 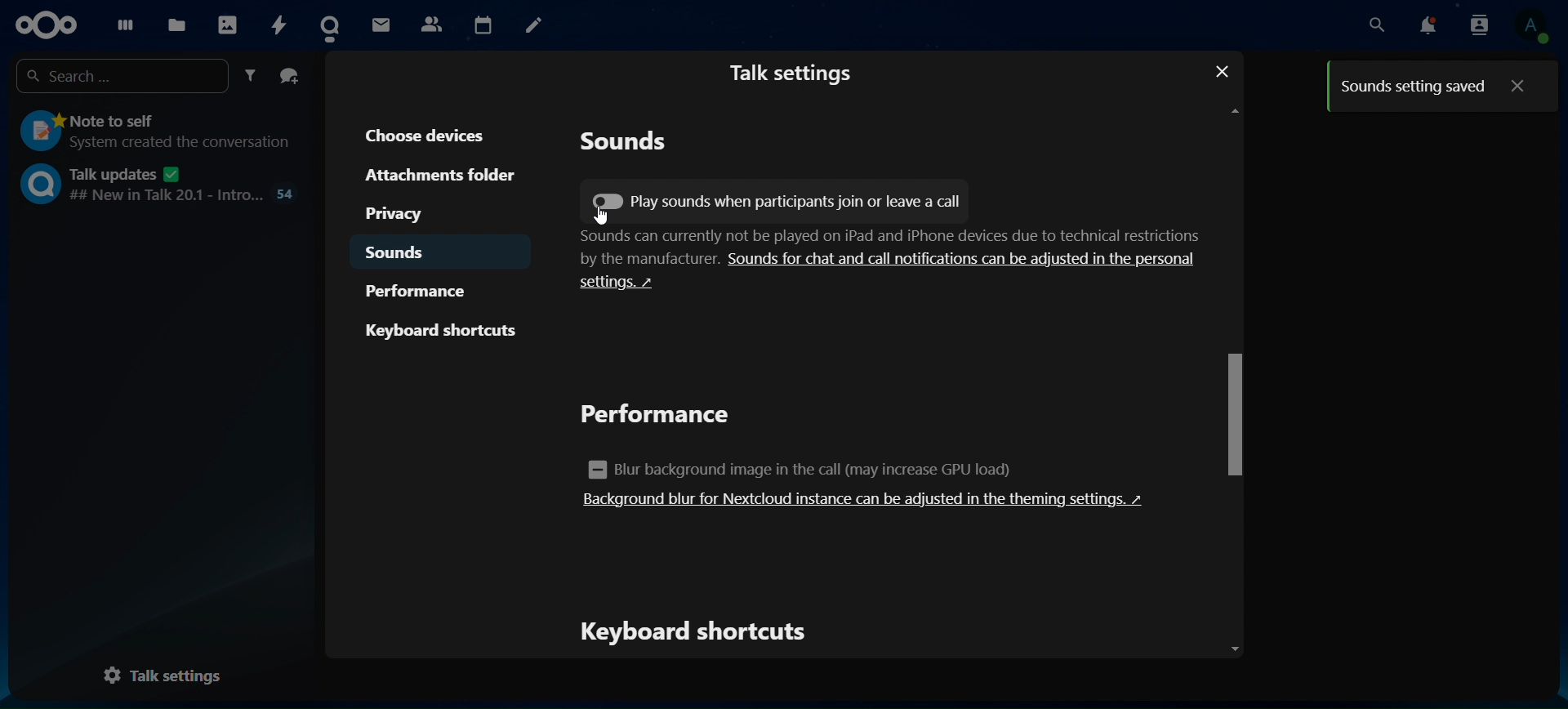 What do you see at coordinates (632, 260) in the screenshot?
I see `by the manufacturer` at bounding box center [632, 260].